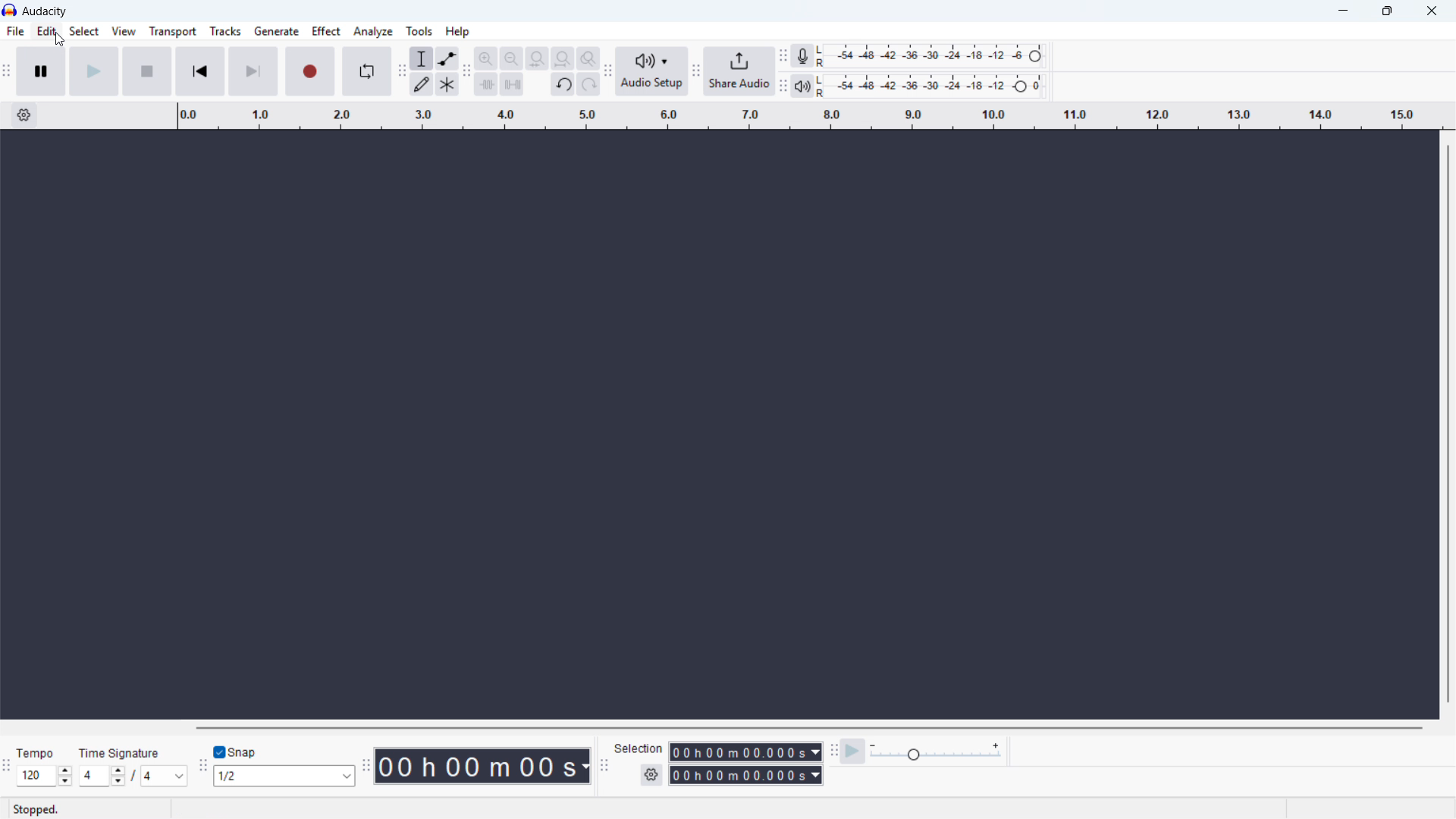 The height and width of the screenshot is (819, 1456). What do you see at coordinates (935, 85) in the screenshot?
I see `playback level` at bounding box center [935, 85].